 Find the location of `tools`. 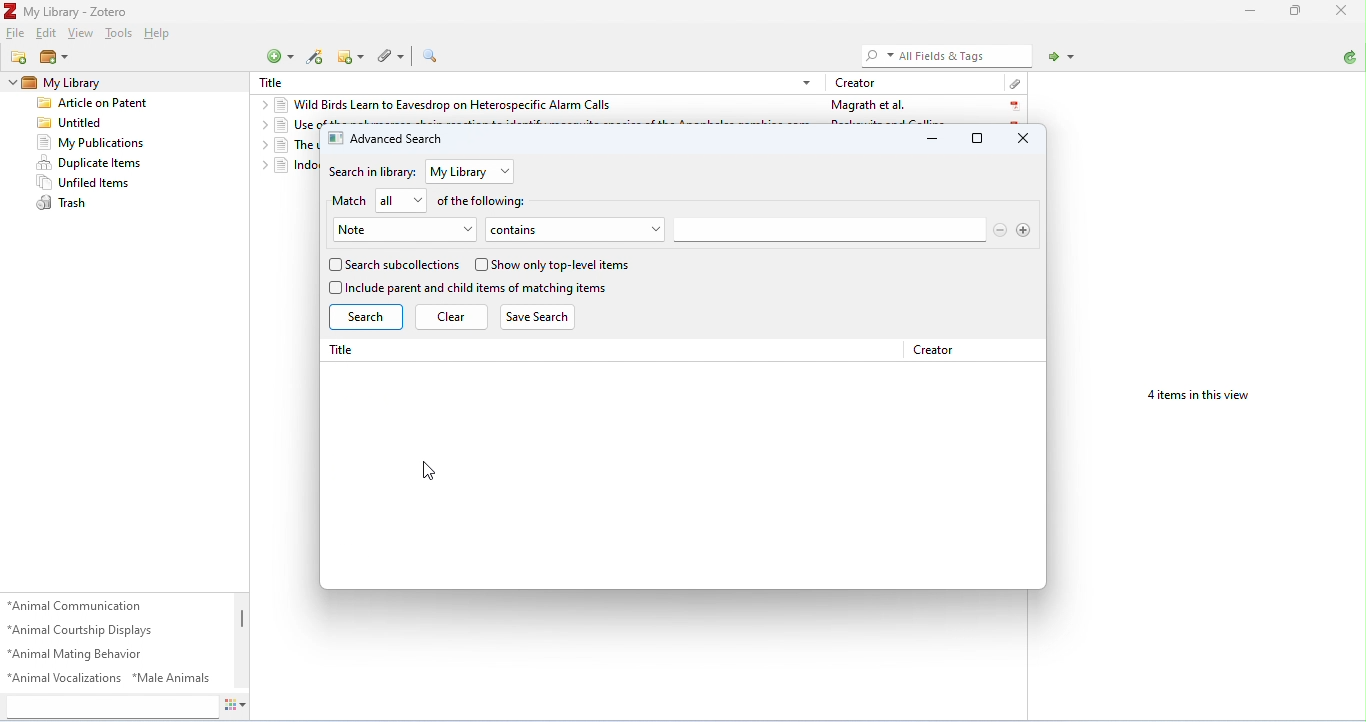

tools is located at coordinates (122, 34).